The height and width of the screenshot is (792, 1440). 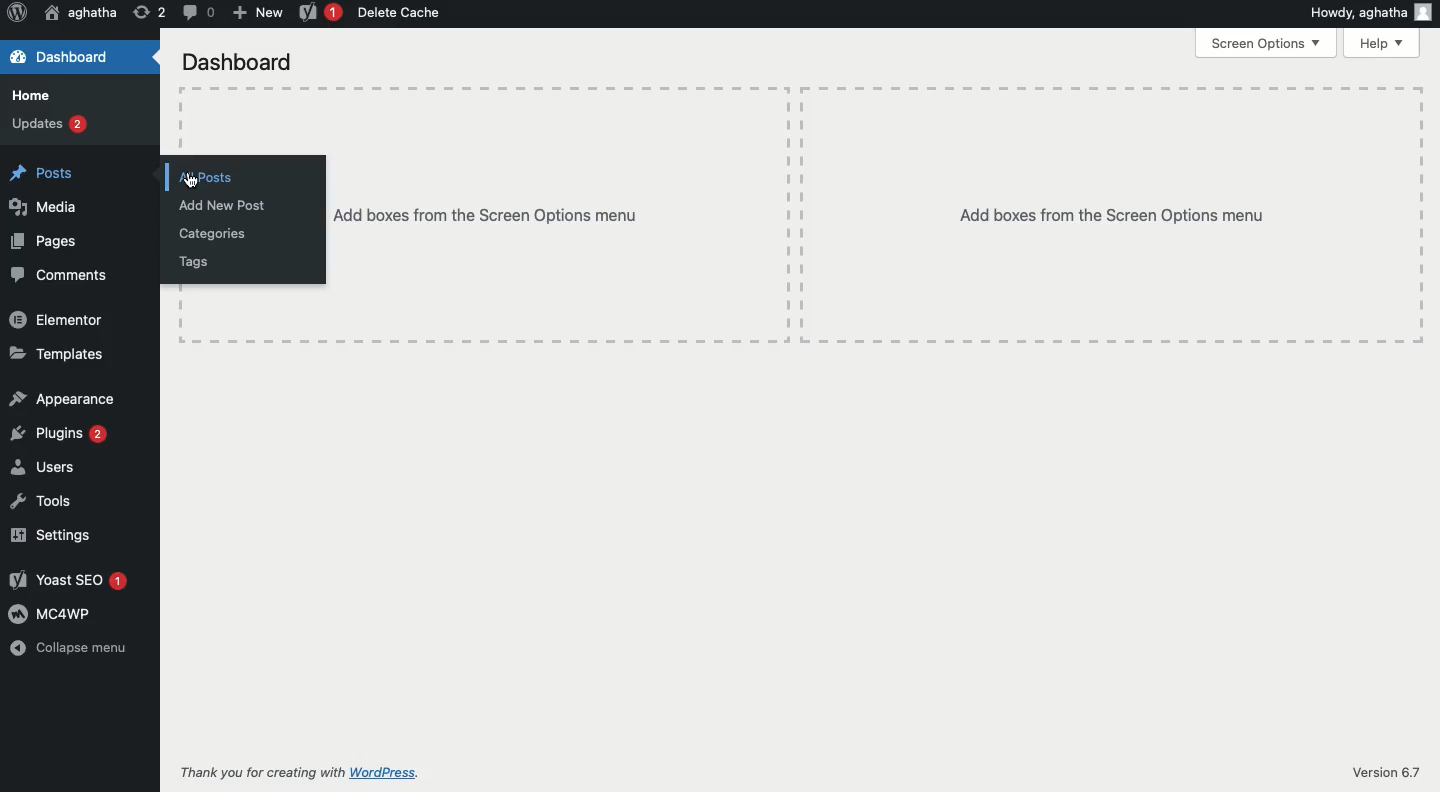 I want to click on Delete cache, so click(x=403, y=14).